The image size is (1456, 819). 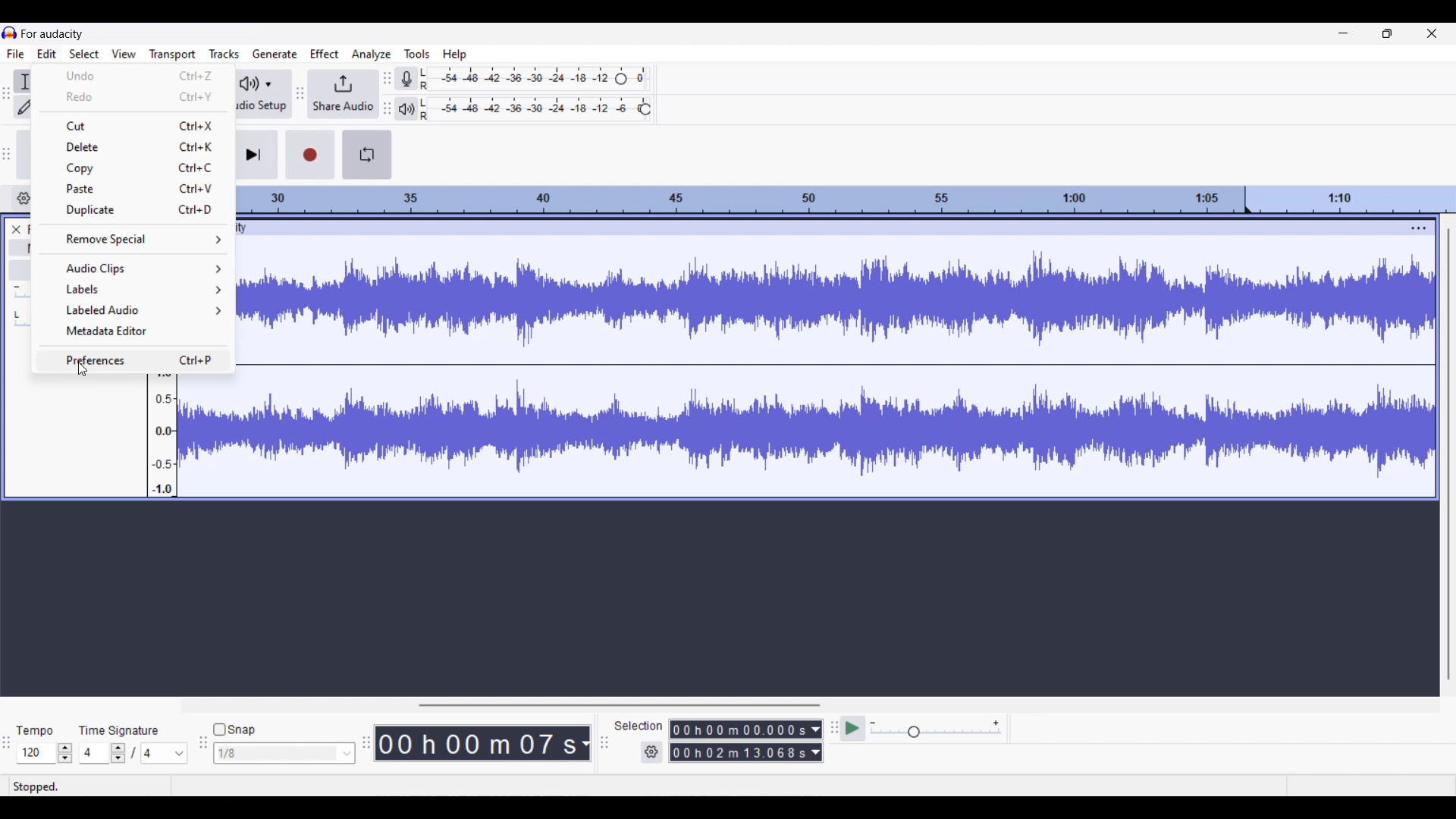 I want to click on Horizontal slide bar, so click(x=619, y=705).